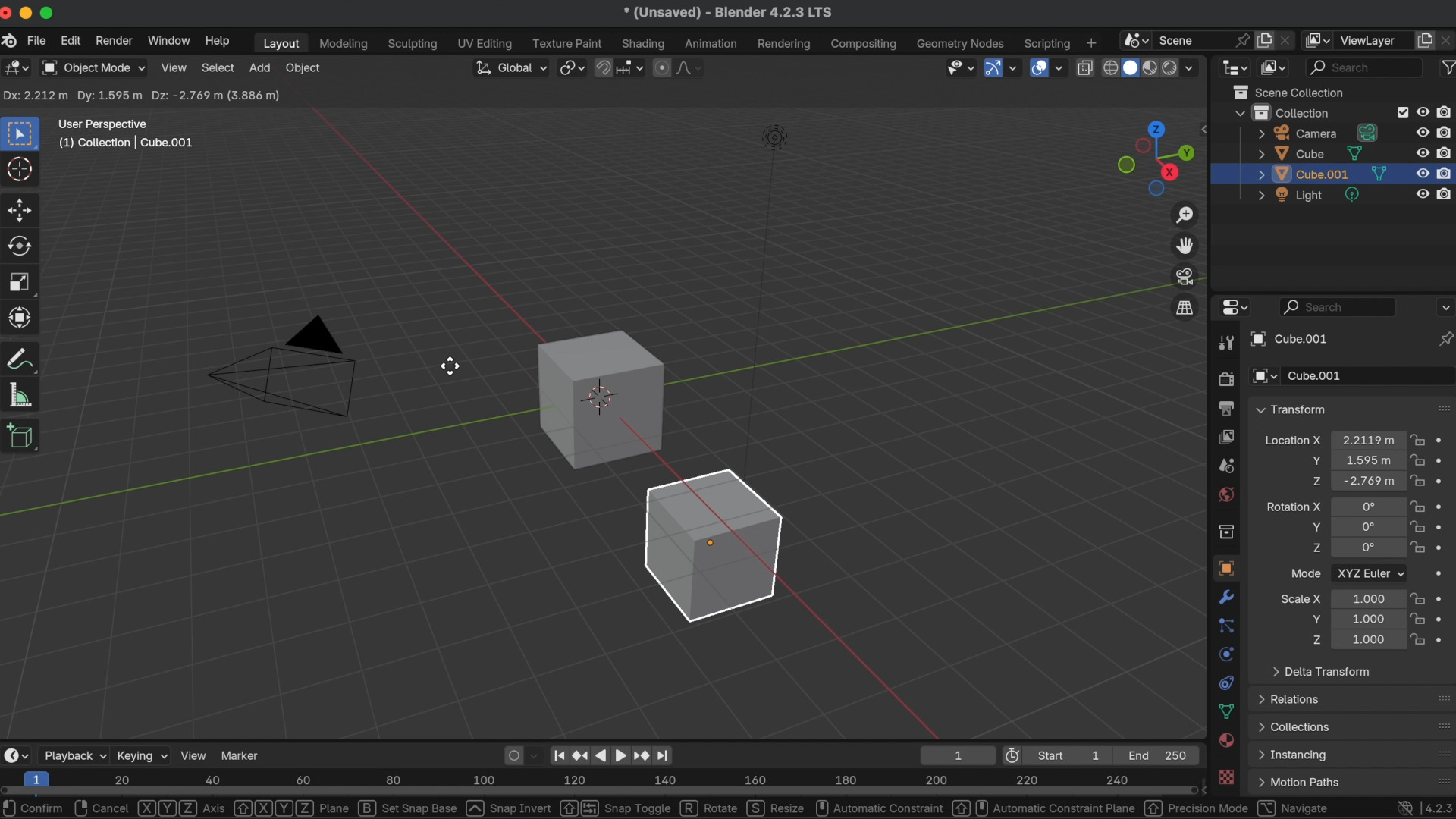 The height and width of the screenshot is (819, 1456). What do you see at coordinates (74, 755) in the screenshot?
I see `playback` at bounding box center [74, 755].